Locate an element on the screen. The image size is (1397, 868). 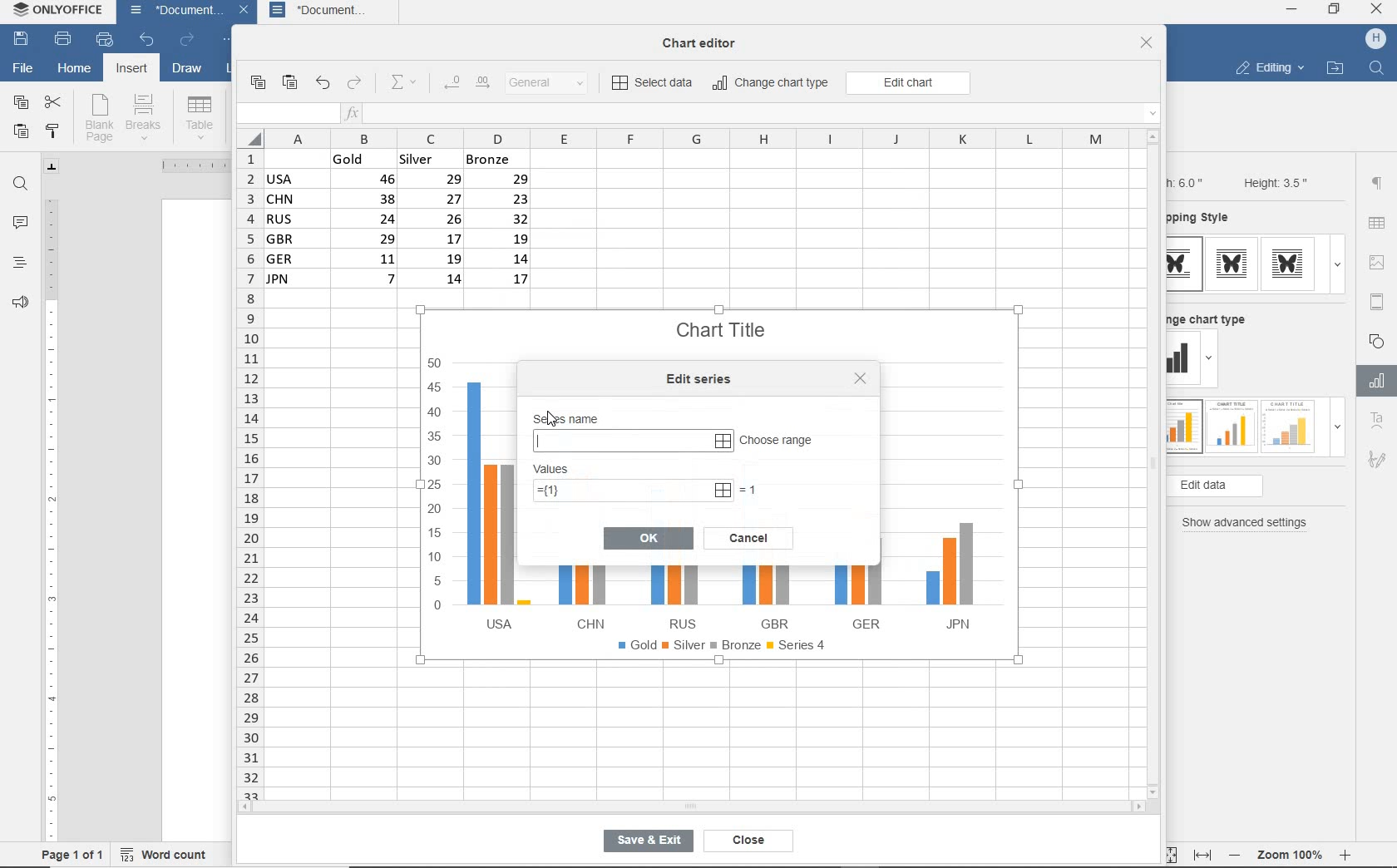
type 3 is located at coordinates (1289, 425).